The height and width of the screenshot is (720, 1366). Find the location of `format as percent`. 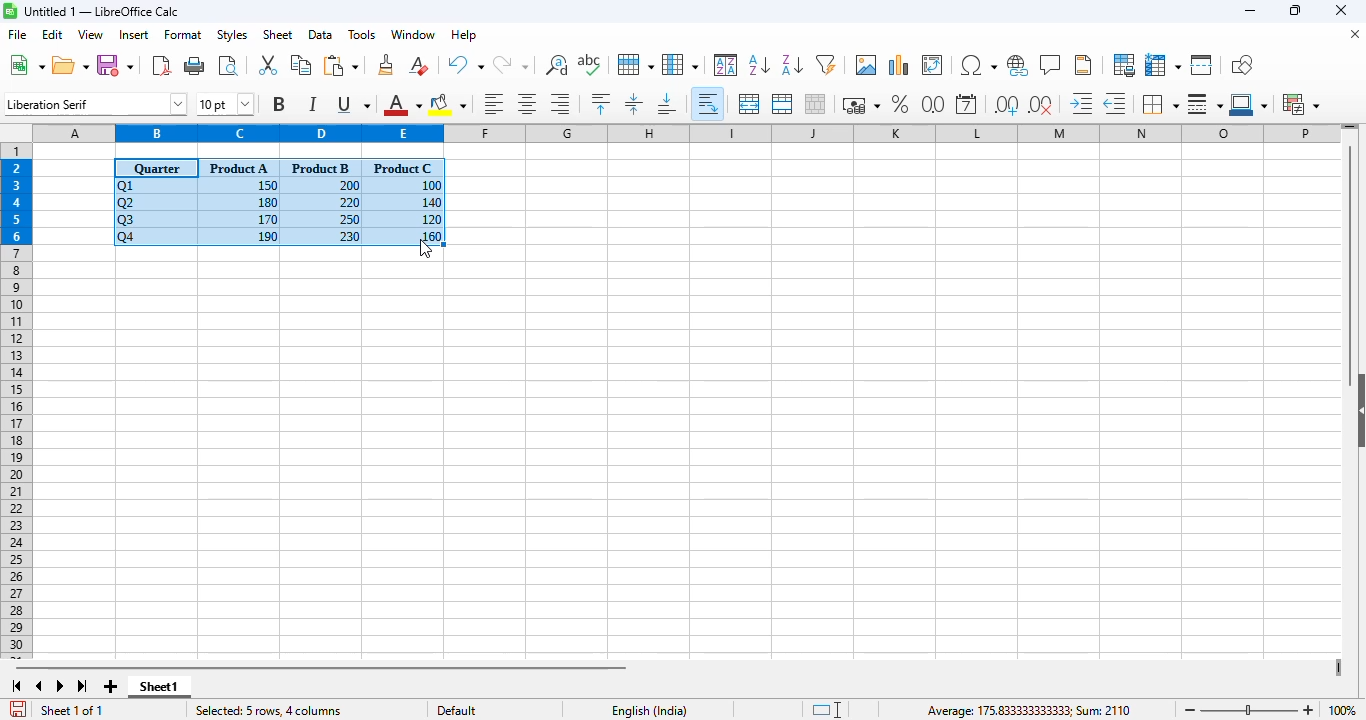

format as percent is located at coordinates (899, 103).